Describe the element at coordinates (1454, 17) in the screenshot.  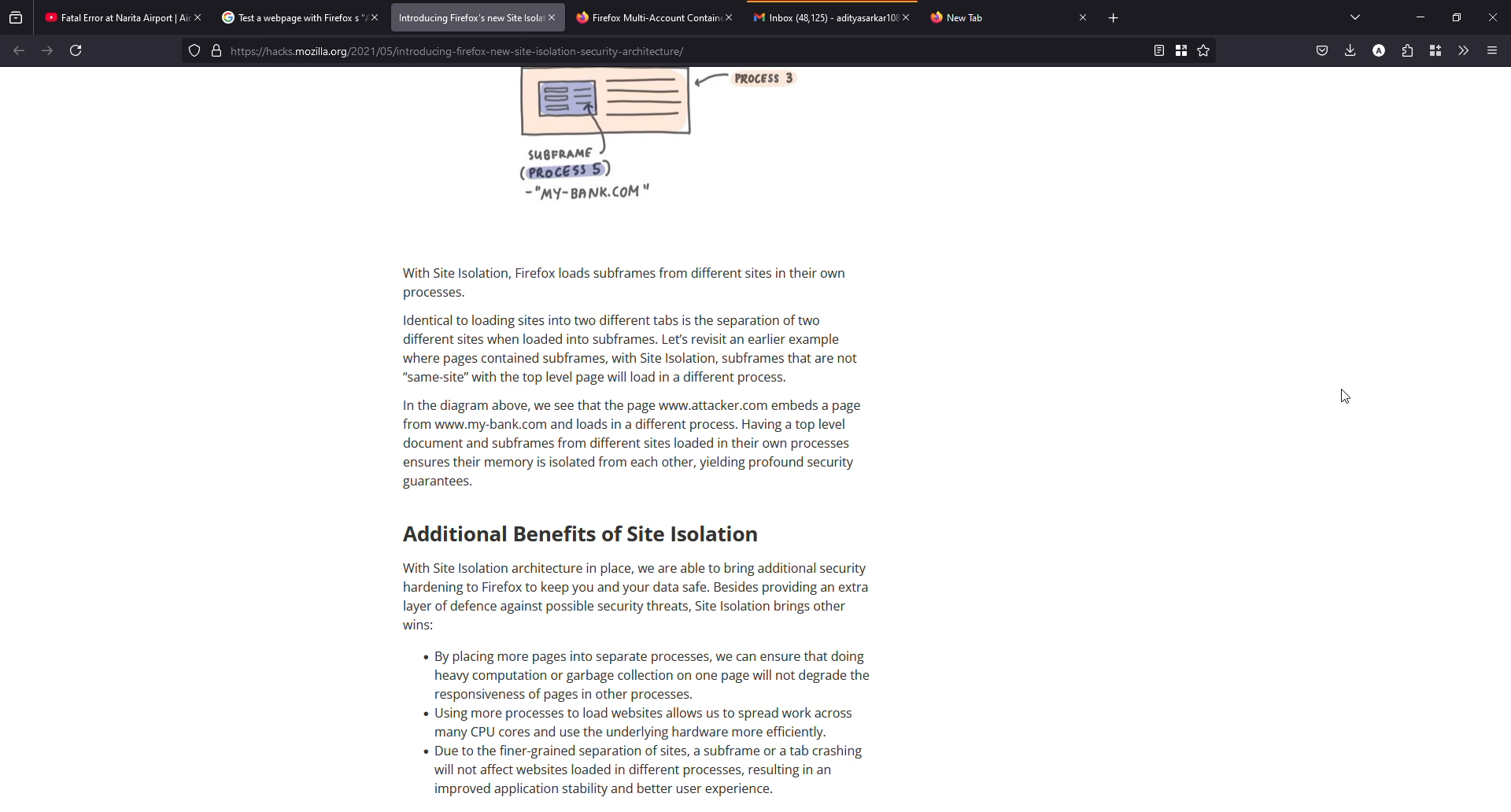
I see `maximize` at that location.